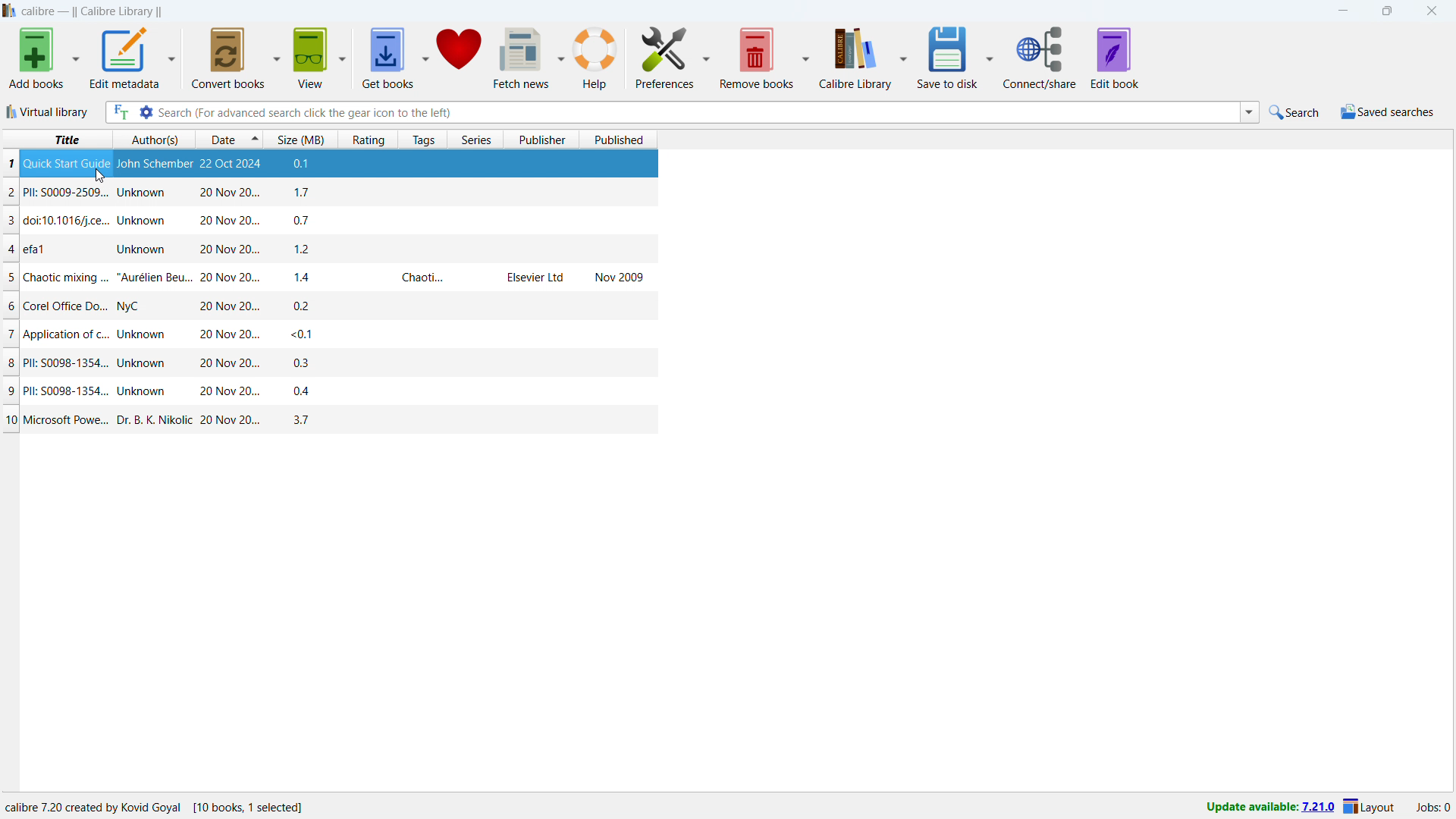  Describe the element at coordinates (475, 139) in the screenshot. I see `sort by series` at that location.